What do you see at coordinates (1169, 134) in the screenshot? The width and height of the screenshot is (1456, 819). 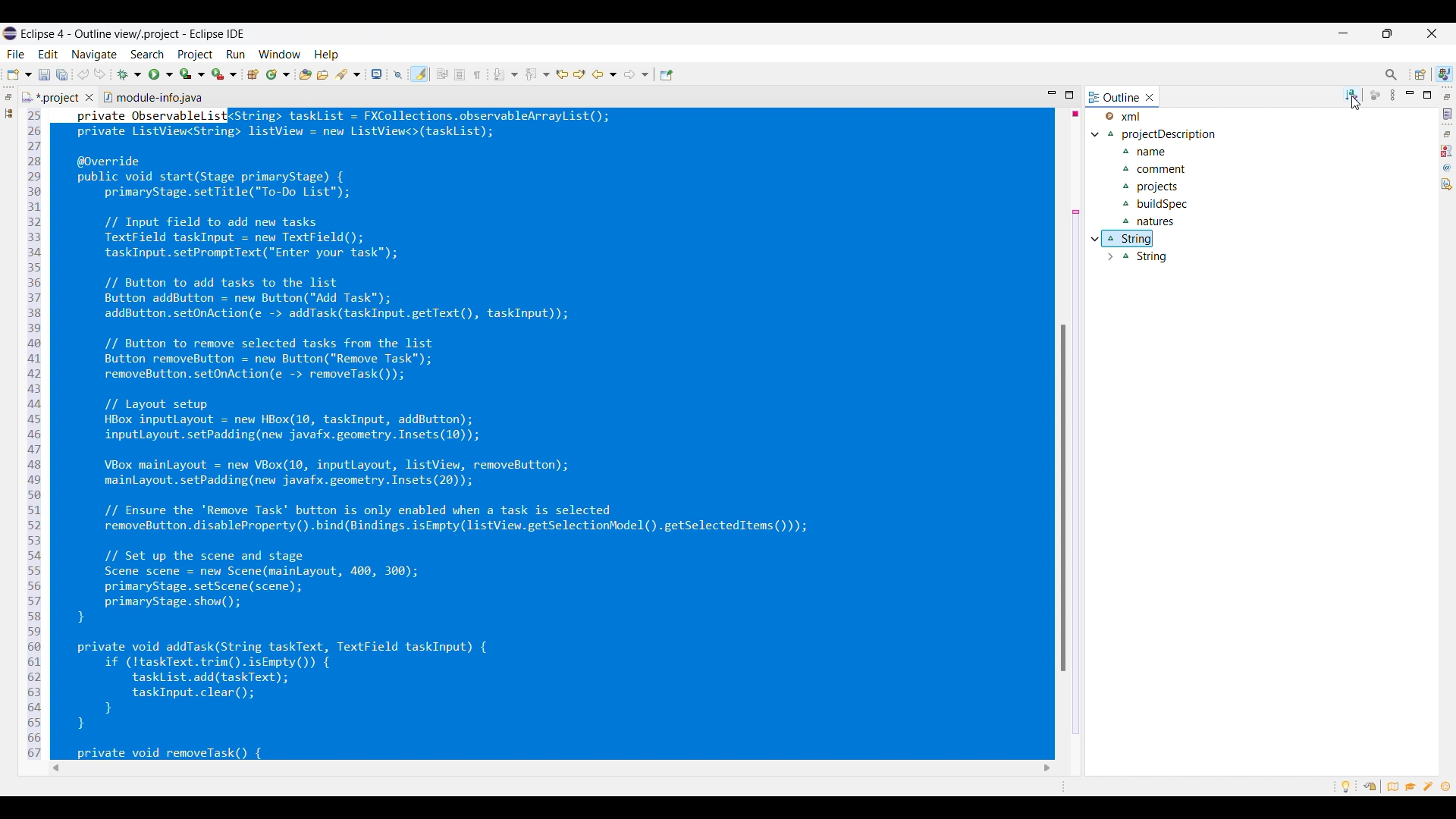 I see `project description` at bounding box center [1169, 134].